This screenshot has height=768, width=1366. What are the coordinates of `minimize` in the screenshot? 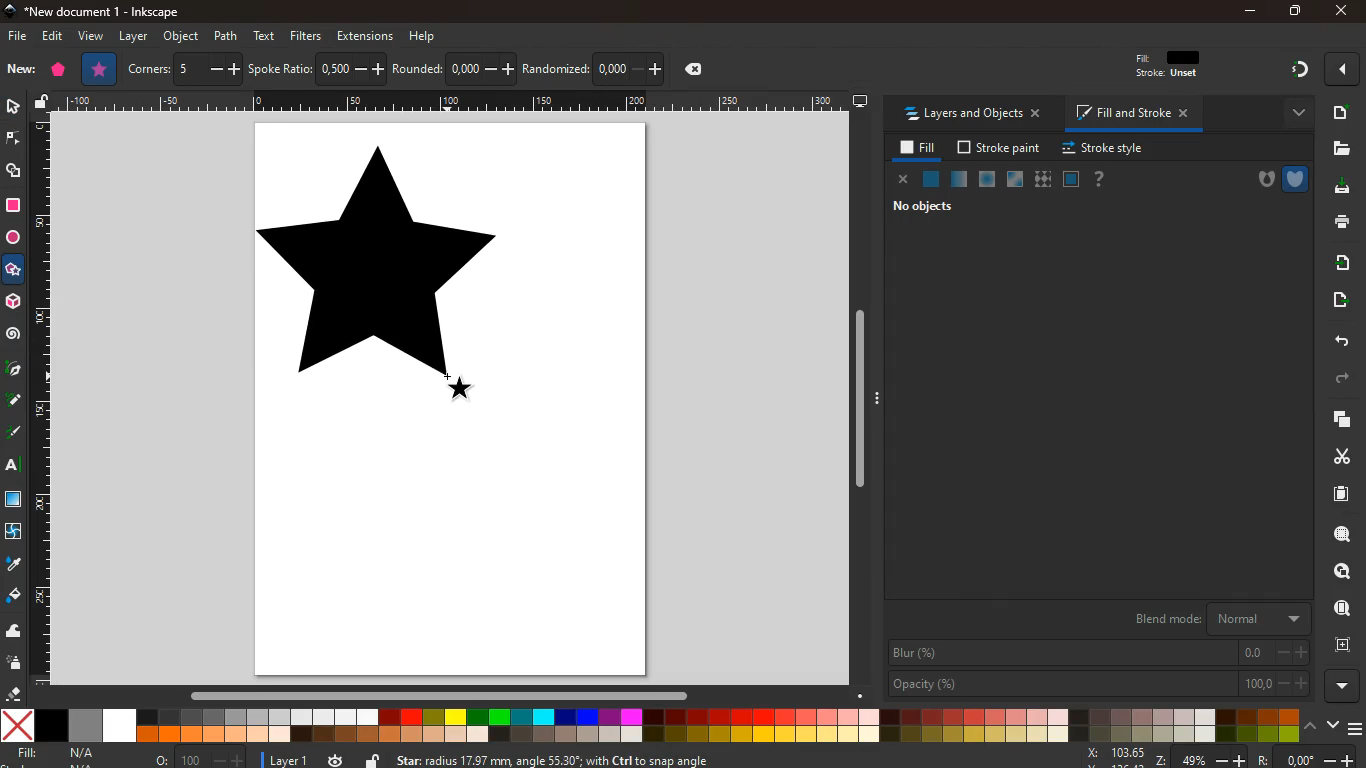 It's located at (1251, 12).